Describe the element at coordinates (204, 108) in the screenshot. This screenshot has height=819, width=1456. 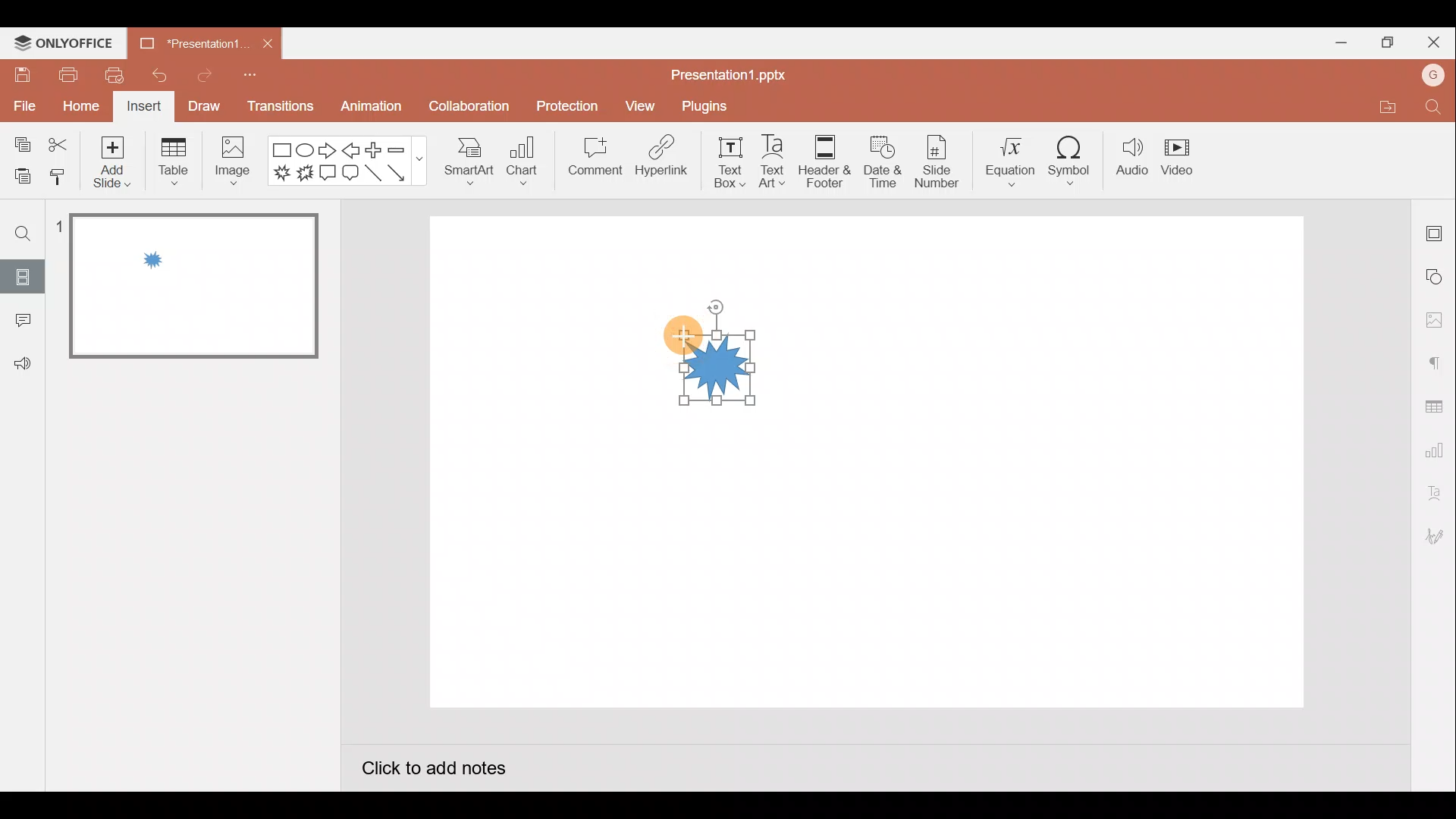
I see `Draw` at that location.